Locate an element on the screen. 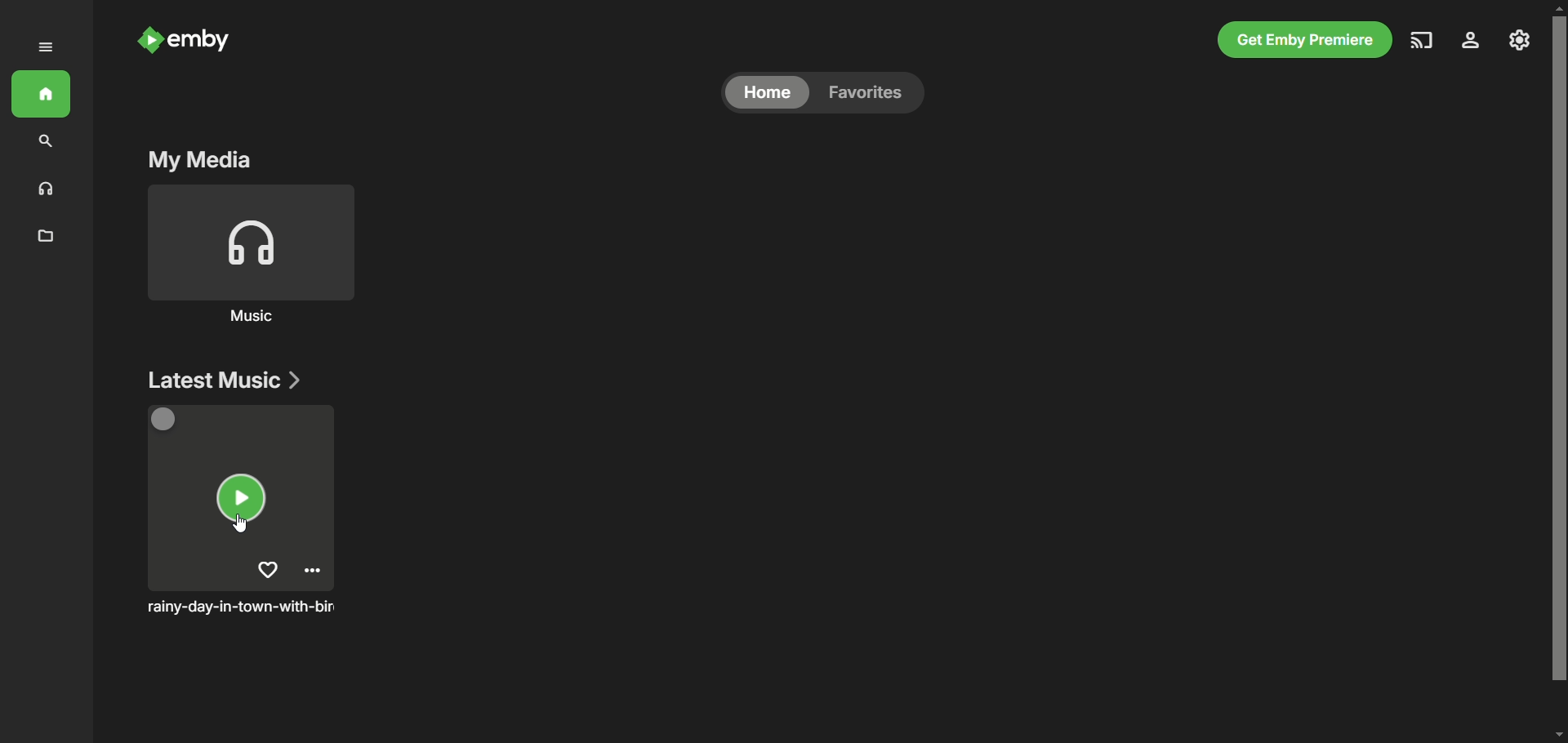 The height and width of the screenshot is (743, 1568). music is located at coordinates (248, 244).